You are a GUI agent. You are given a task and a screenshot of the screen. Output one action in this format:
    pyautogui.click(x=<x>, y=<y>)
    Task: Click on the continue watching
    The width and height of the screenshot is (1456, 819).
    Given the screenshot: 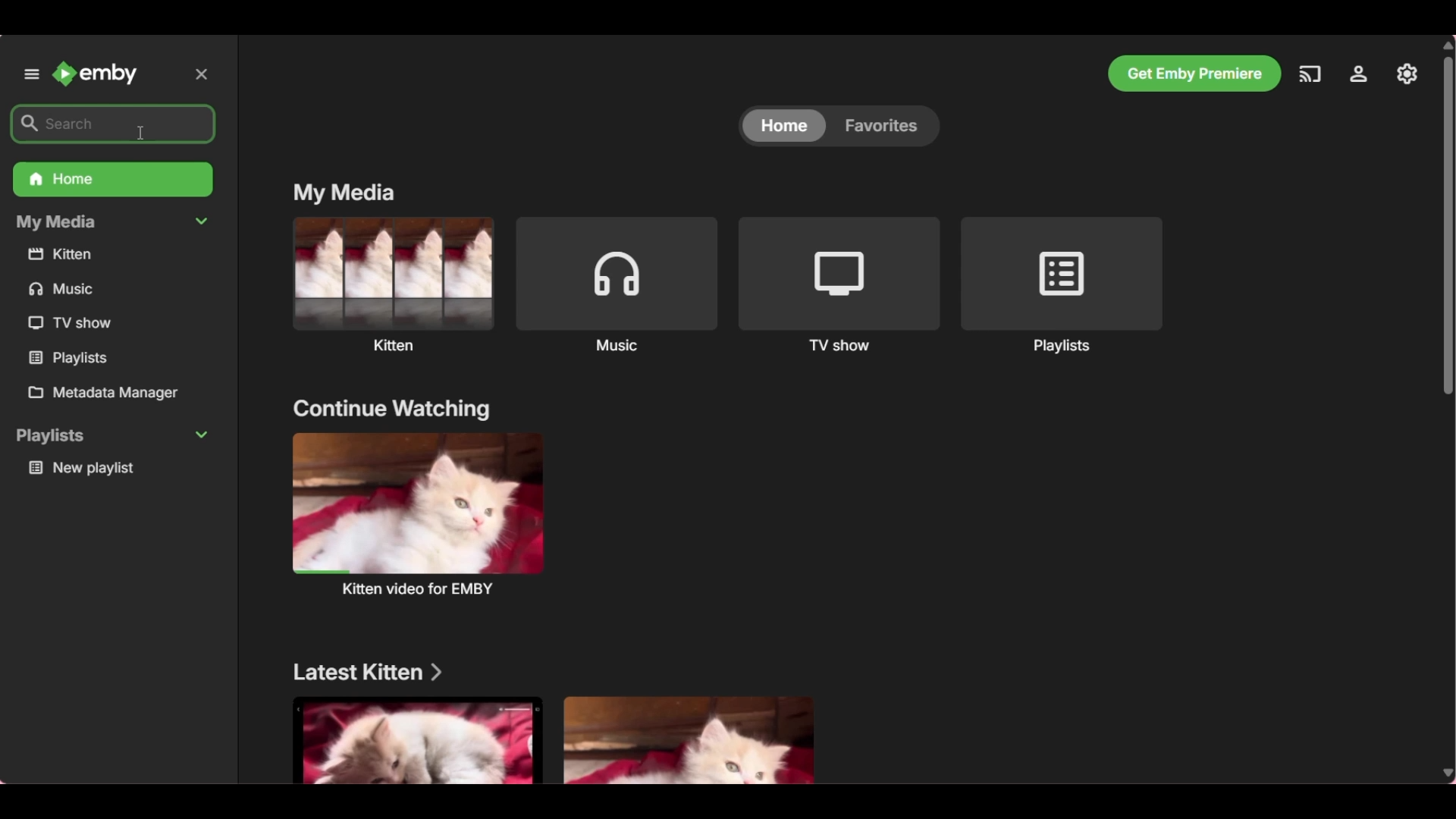 What is the action you would take?
    pyautogui.click(x=391, y=408)
    